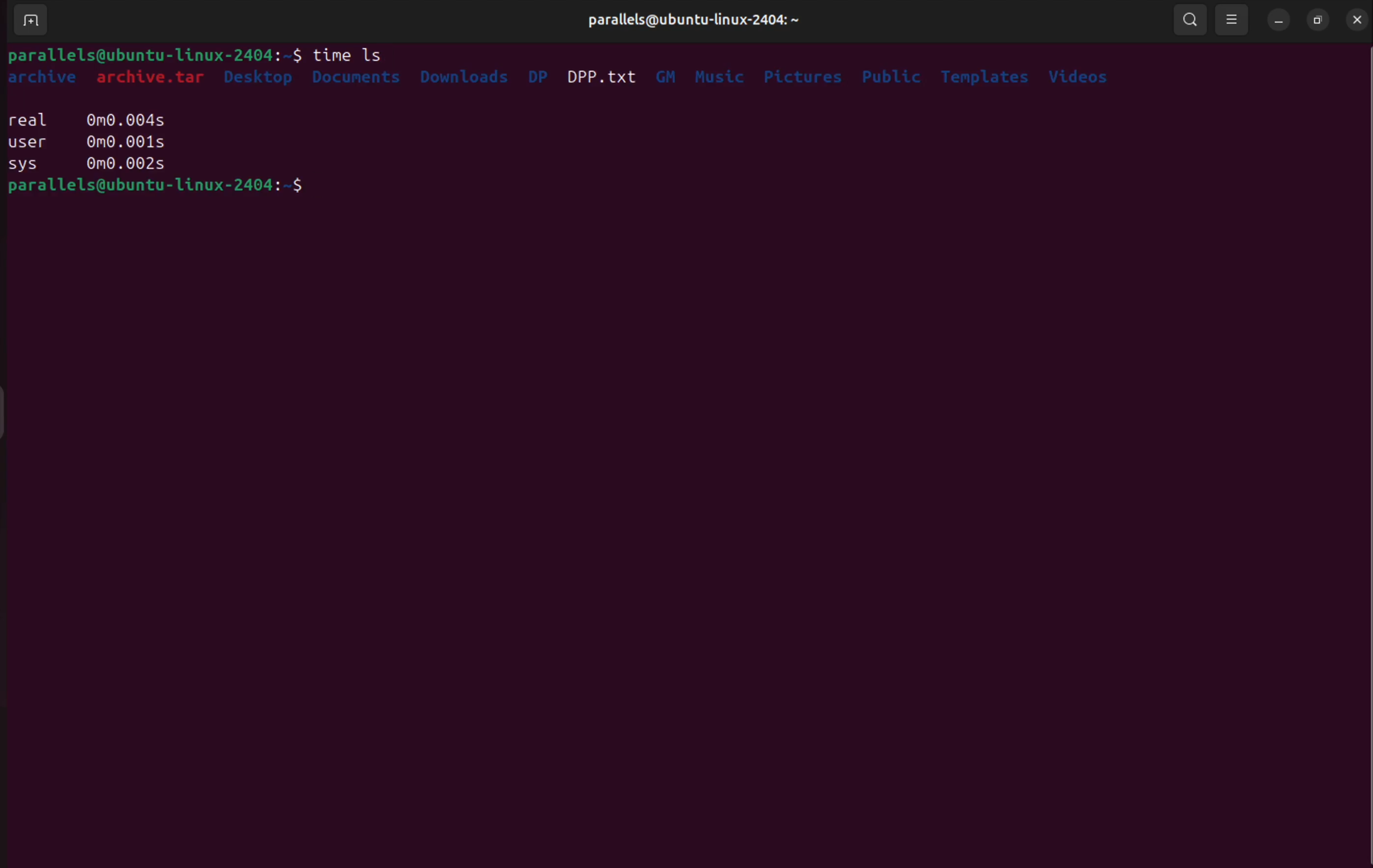 This screenshot has height=868, width=1373. Describe the element at coordinates (693, 21) in the screenshot. I see `parallels@ubuntu-linux-2404: ~` at that location.